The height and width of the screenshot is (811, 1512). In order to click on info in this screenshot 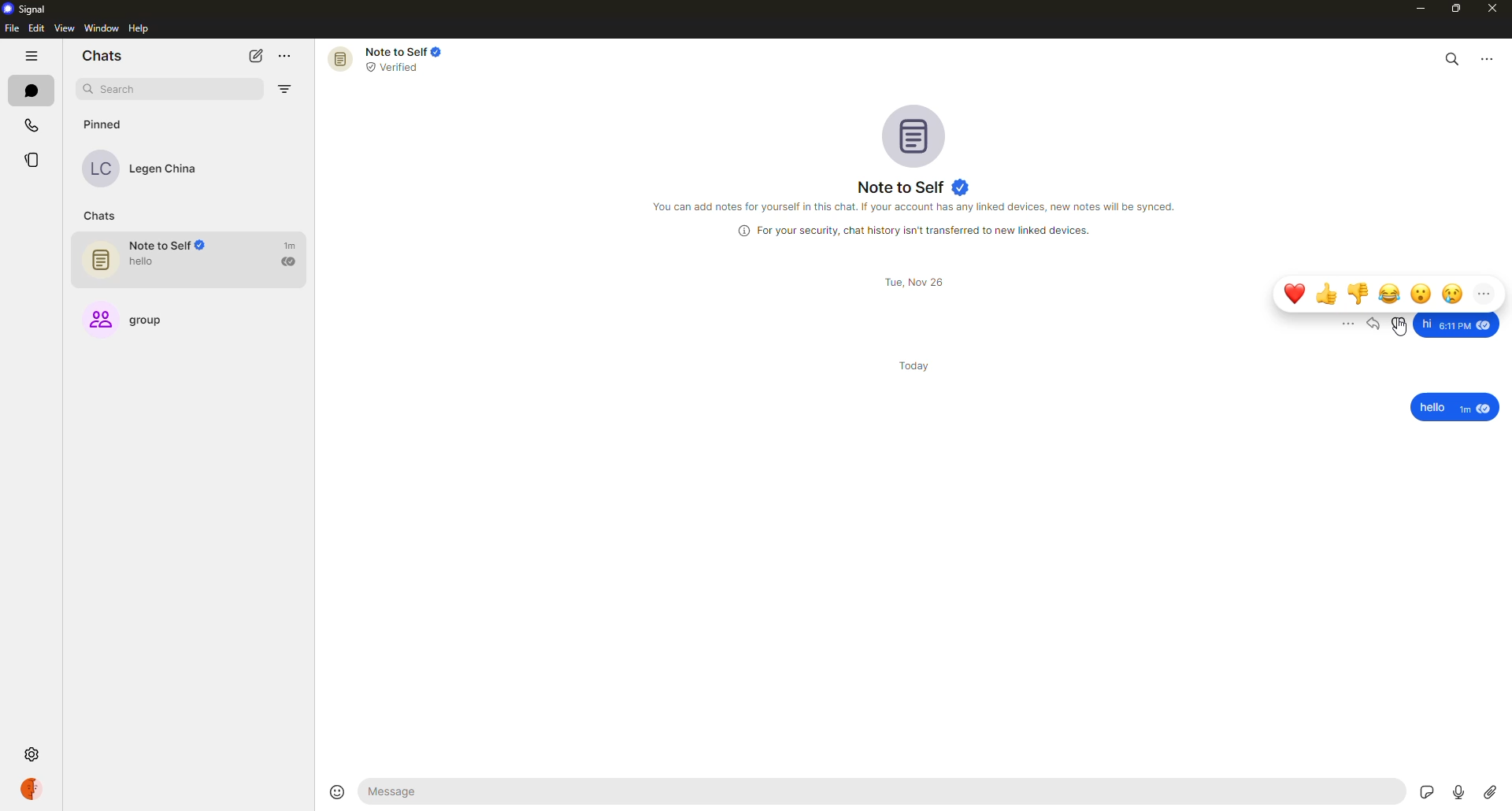, I will do `click(917, 206)`.